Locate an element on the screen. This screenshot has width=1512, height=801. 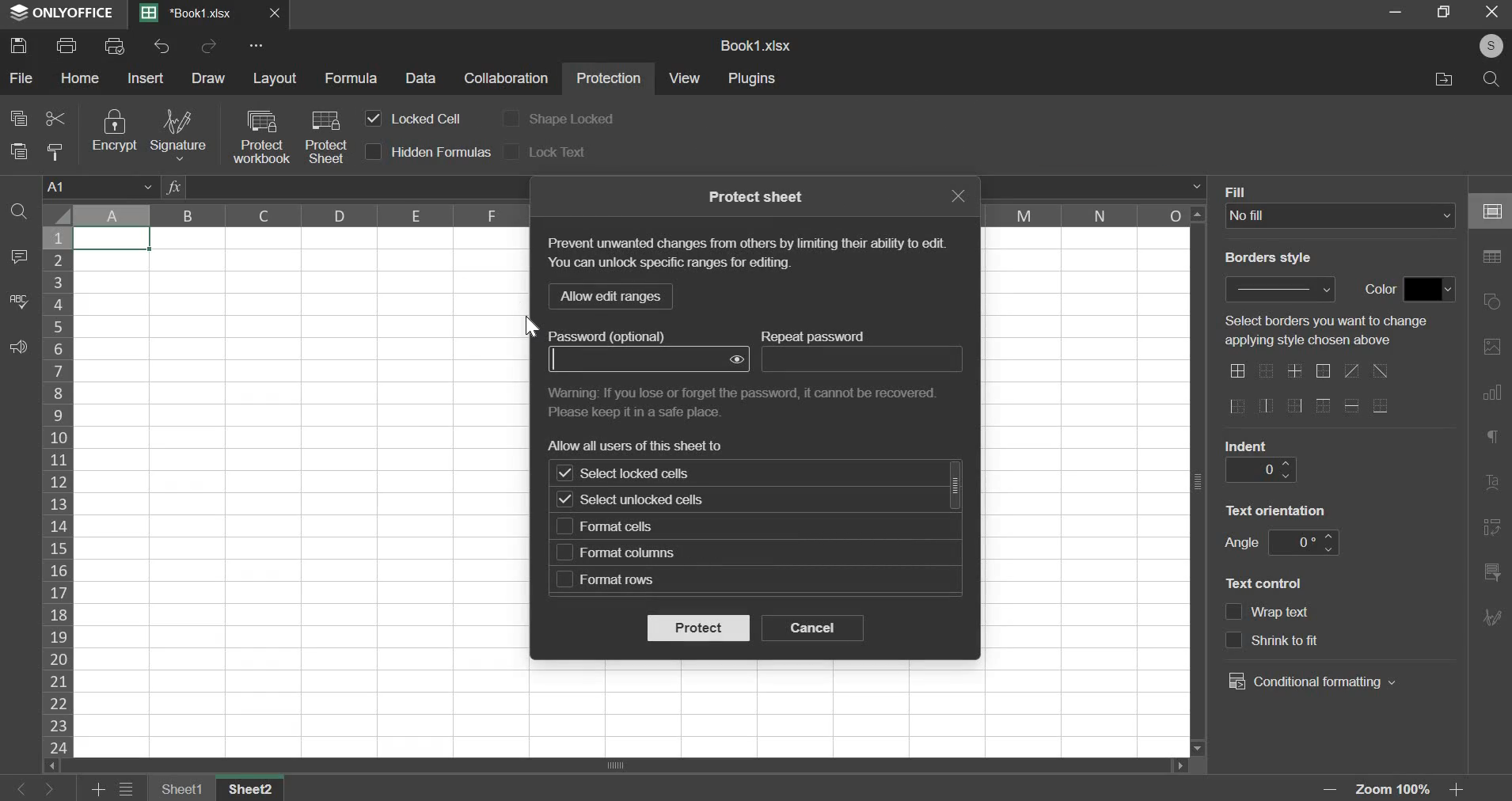
text is located at coordinates (1334, 332).